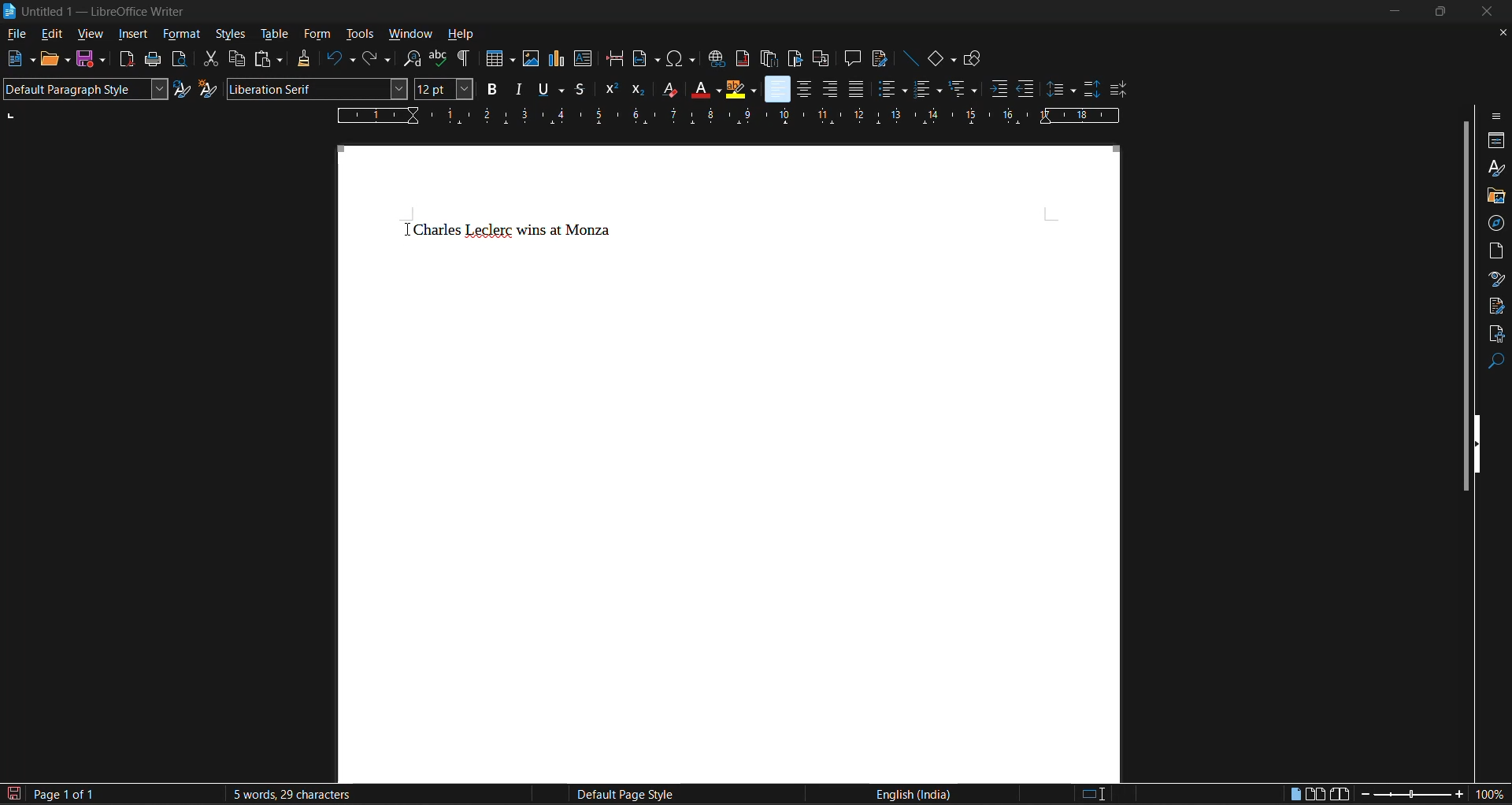 Image resolution: width=1512 pixels, height=805 pixels. Describe the element at coordinates (1443, 10) in the screenshot. I see `maximize` at that location.